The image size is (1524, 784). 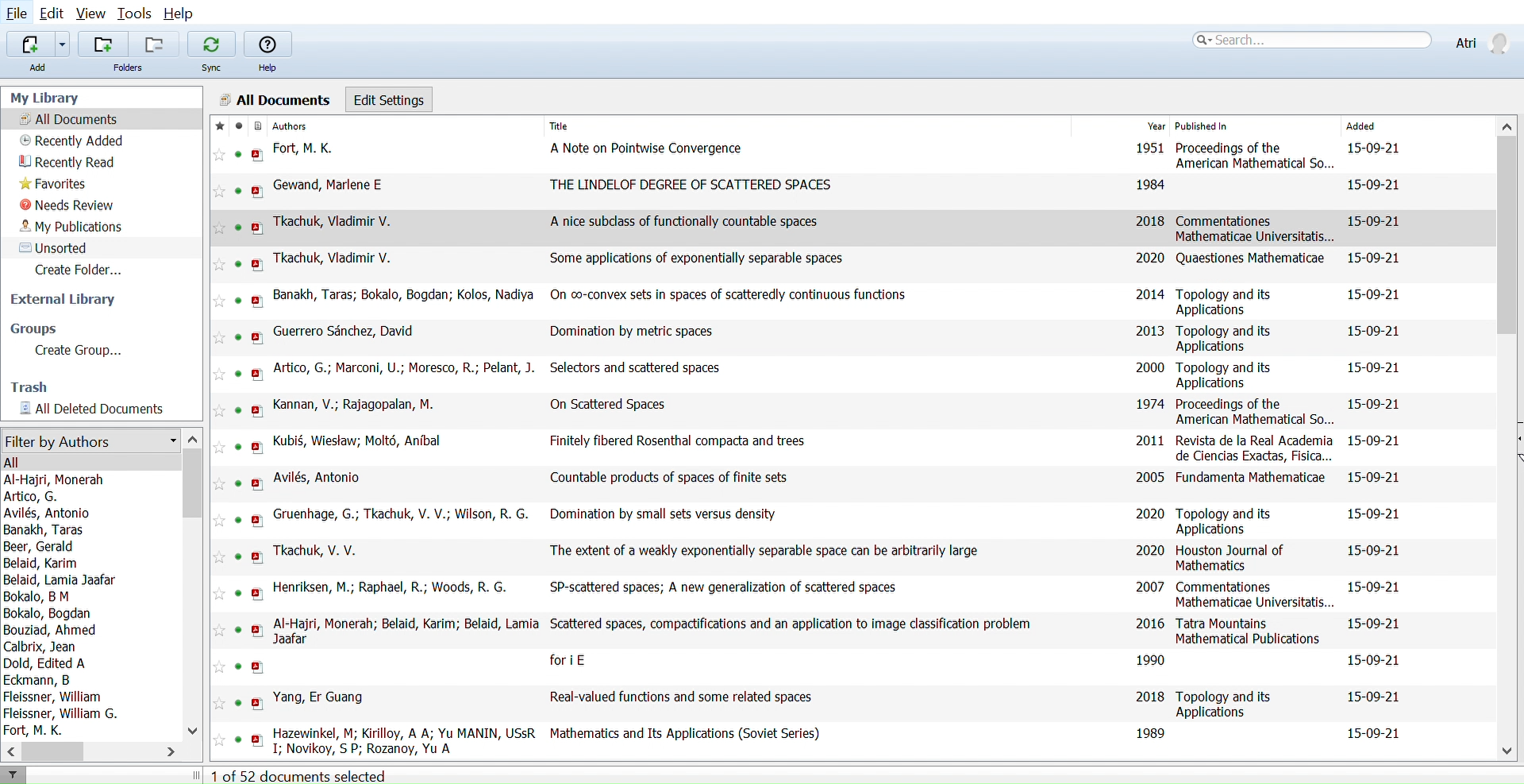 I want to click on Topology and its Applications, so click(x=1227, y=520).